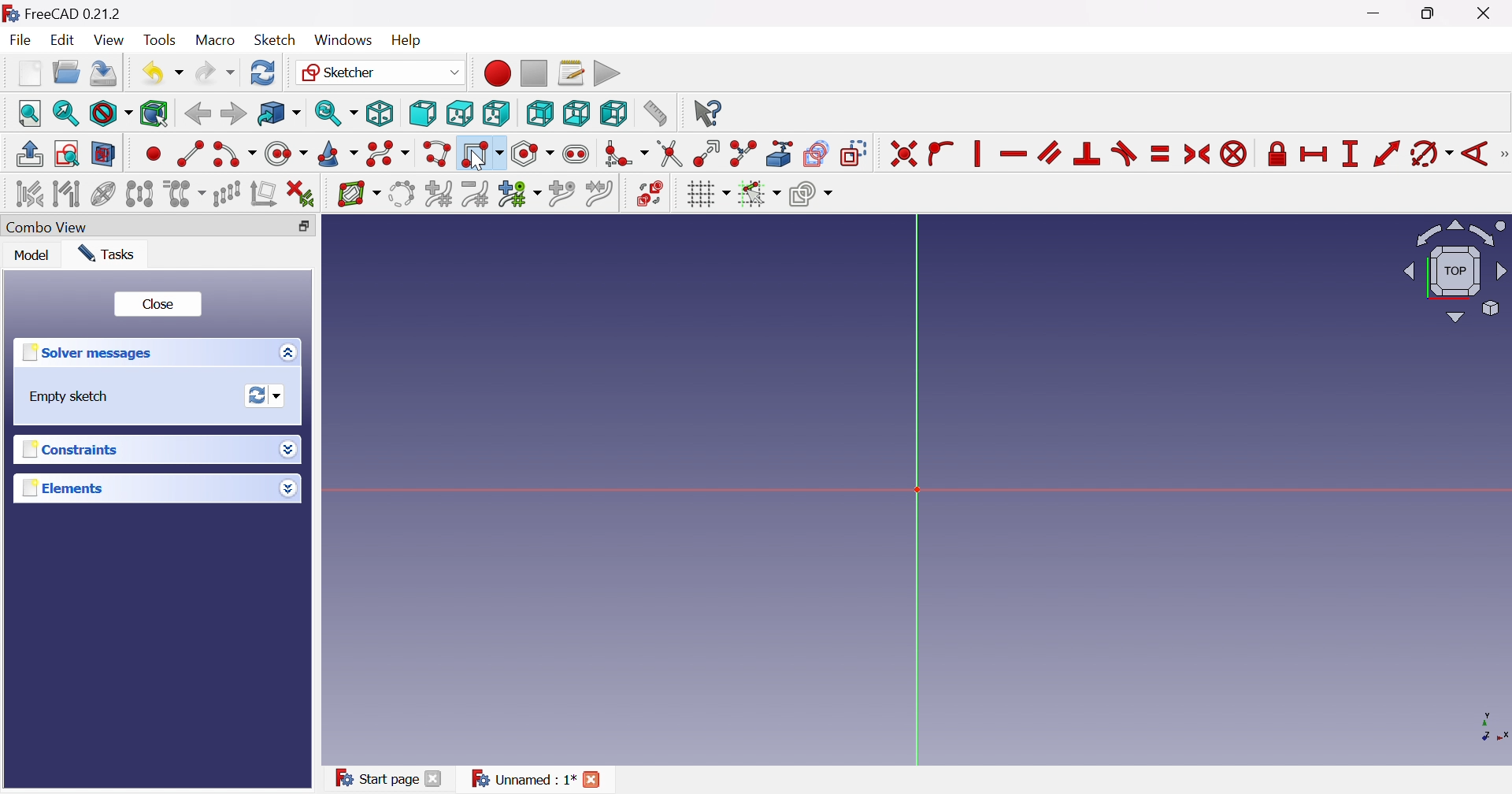 The image size is (1512, 794). What do you see at coordinates (1051, 153) in the screenshot?
I see `Constrain parallel` at bounding box center [1051, 153].